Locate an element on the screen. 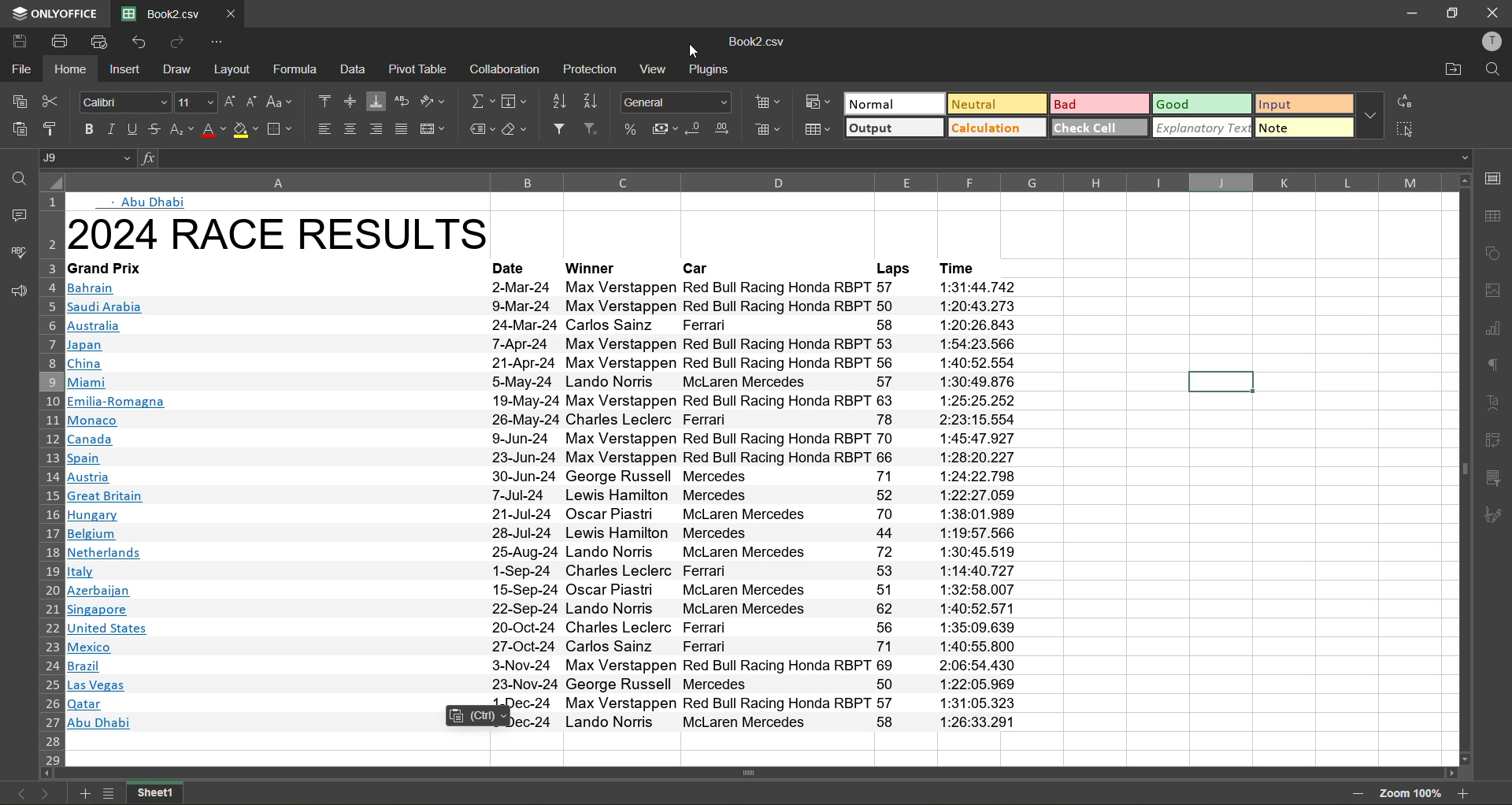  strikethrough is located at coordinates (154, 129).